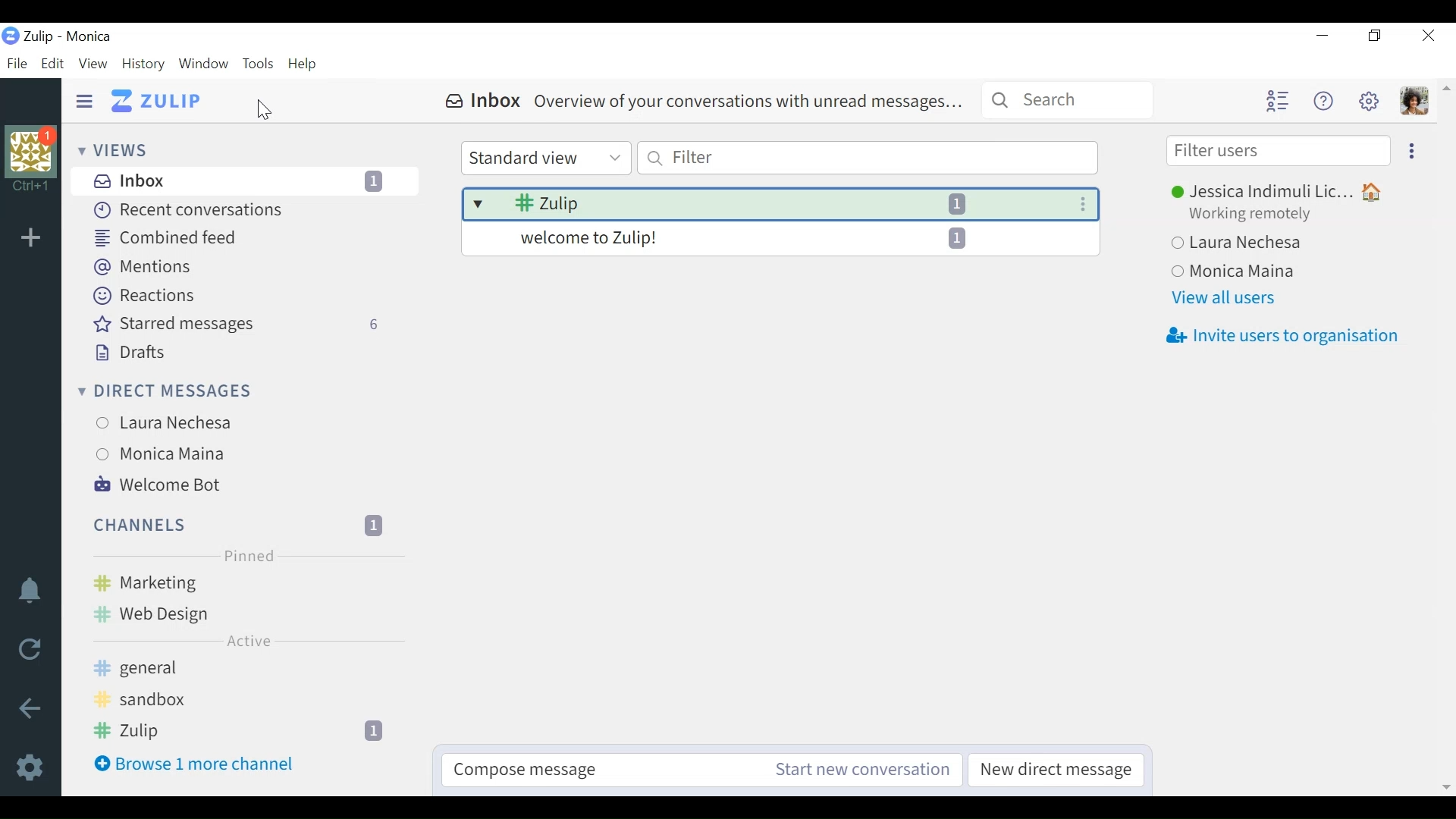 The width and height of the screenshot is (1456, 819). What do you see at coordinates (544, 158) in the screenshot?
I see `Standard view dropdown` at bounding box center [544, 158].